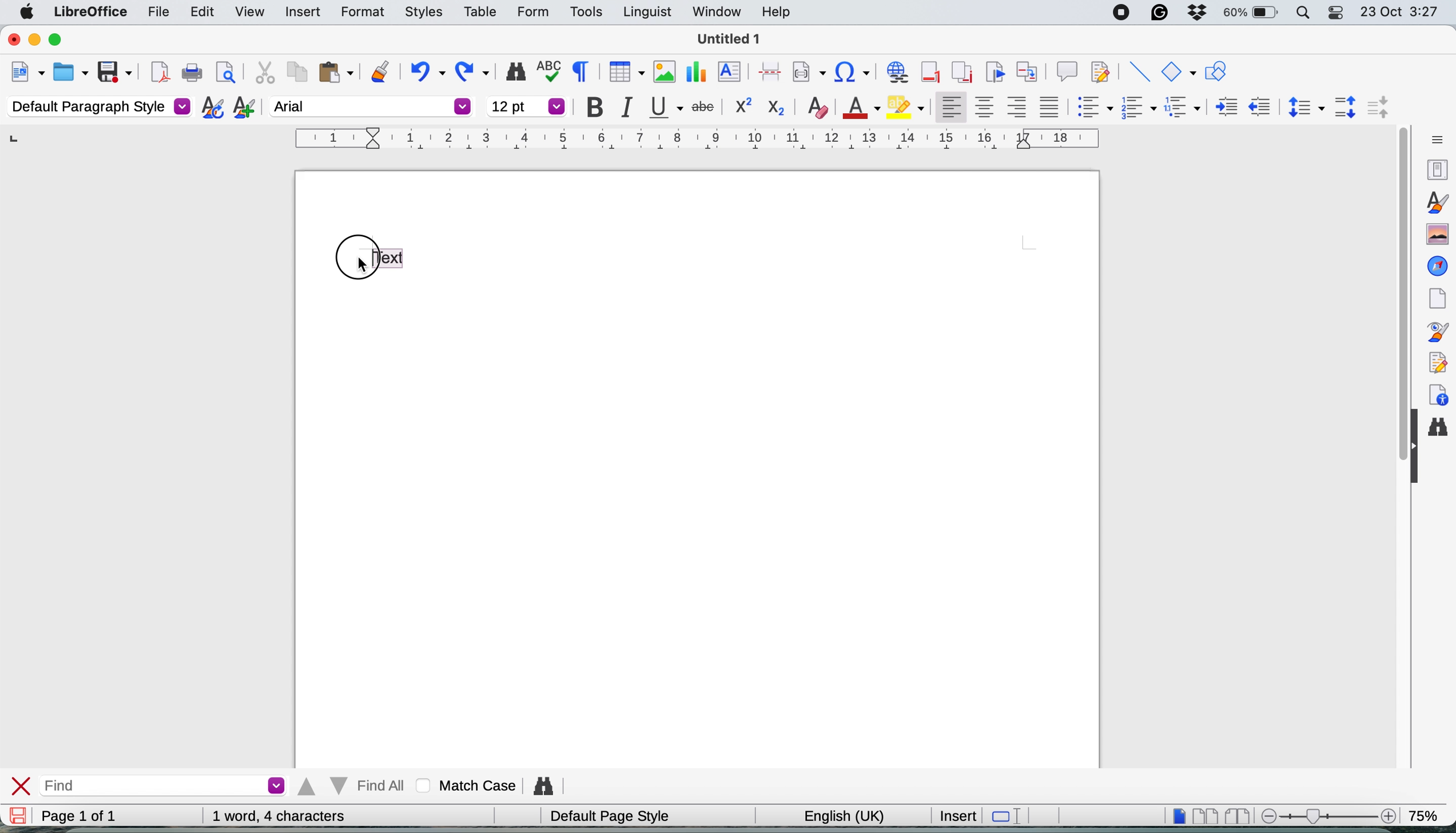  Describe the element at coordinates (1438, 361) in the screenshot. I see `manage changes` at that location.